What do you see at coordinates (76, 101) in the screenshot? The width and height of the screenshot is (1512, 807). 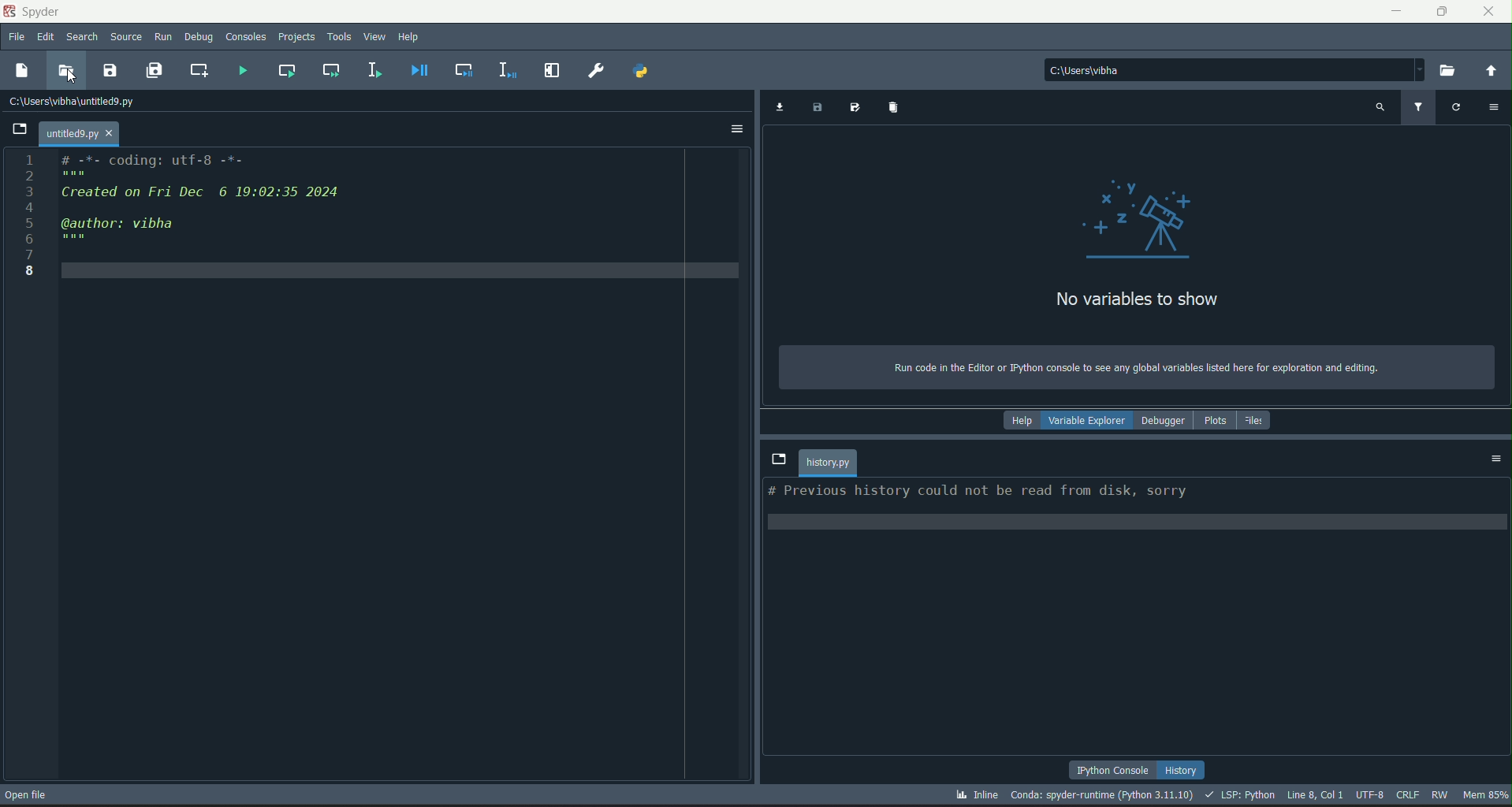 I see `file path` at bounding box center [76, 101].